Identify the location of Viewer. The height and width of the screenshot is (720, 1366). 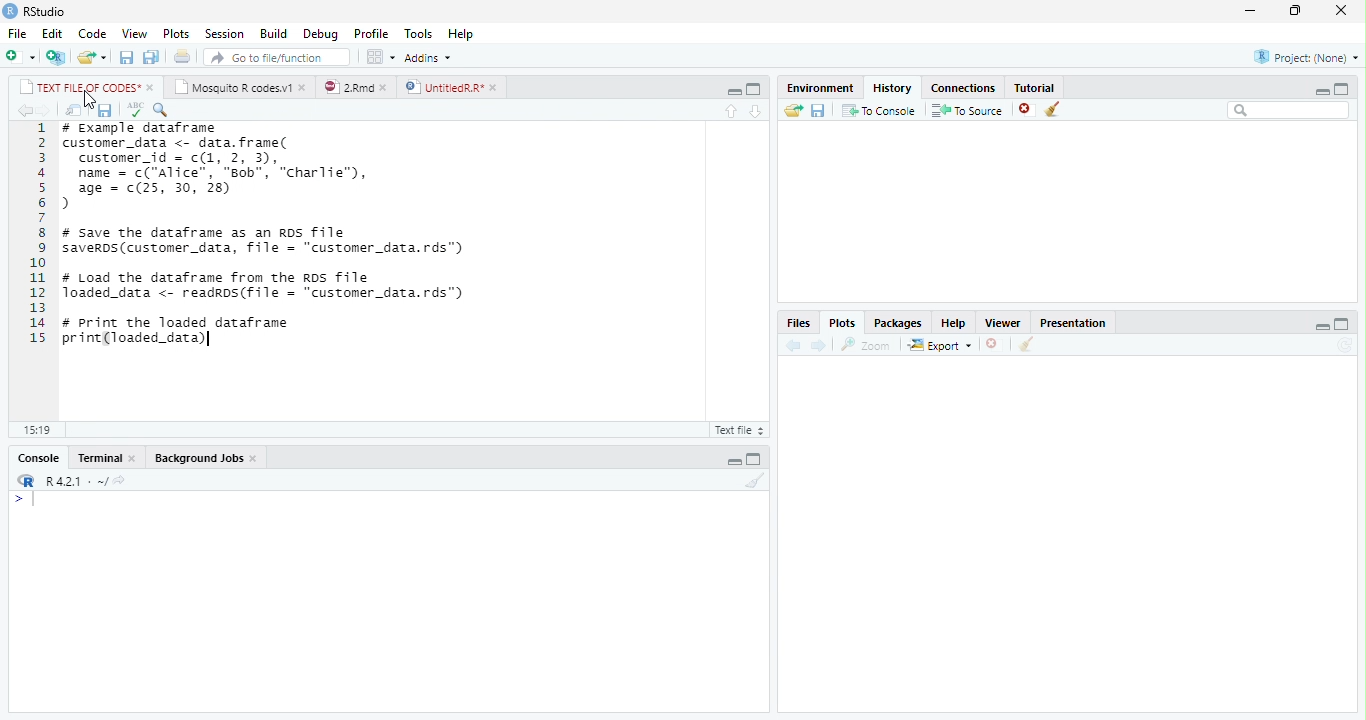
(1002, 322).